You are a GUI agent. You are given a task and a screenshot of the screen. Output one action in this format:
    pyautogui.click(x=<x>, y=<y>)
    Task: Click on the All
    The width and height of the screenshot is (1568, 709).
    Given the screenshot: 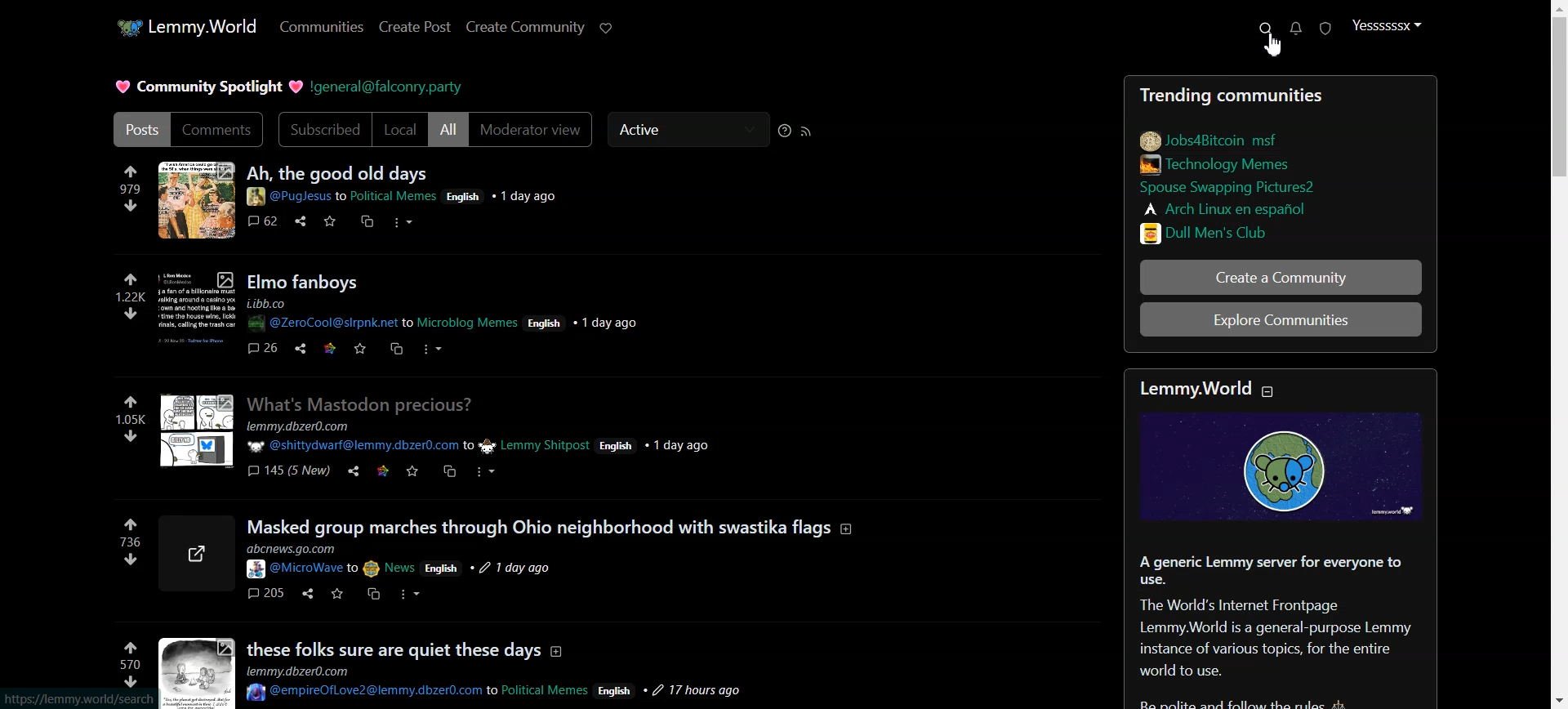 What is the action you would take?
    pyautogui.click(x=448, y=130)
    